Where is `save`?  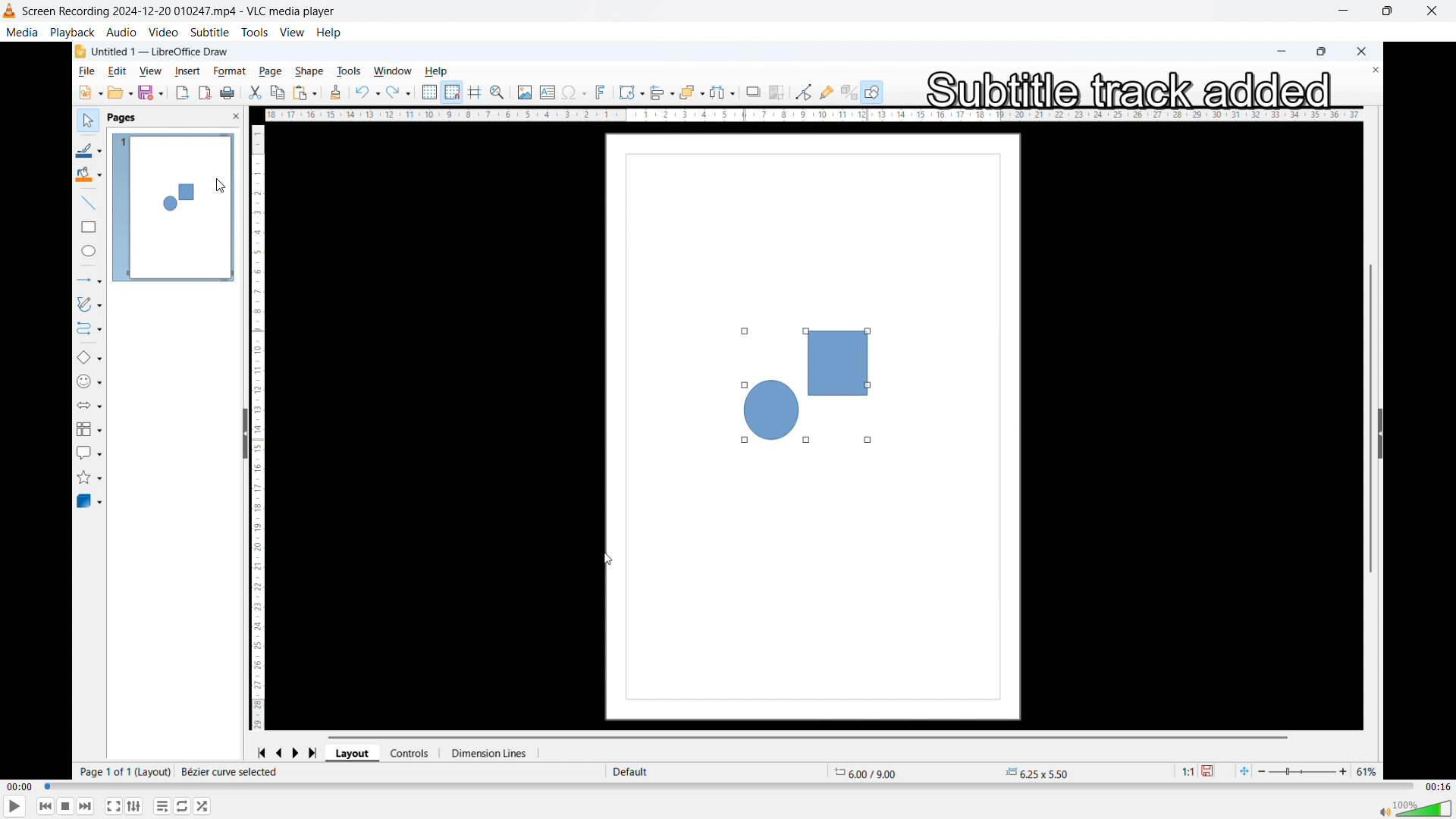 save is located at coordinates (152, 93).